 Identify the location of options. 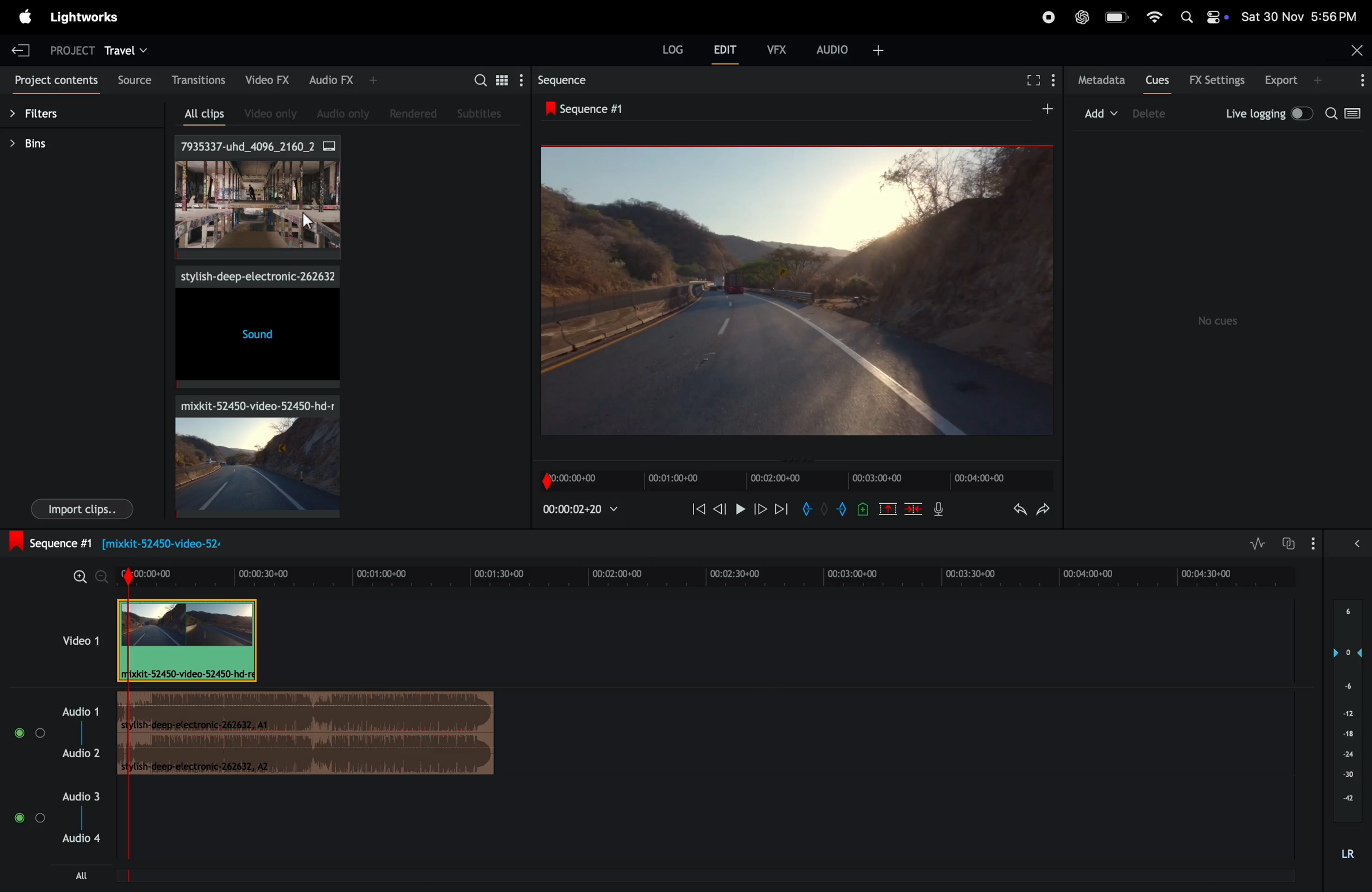
(1359, 80).